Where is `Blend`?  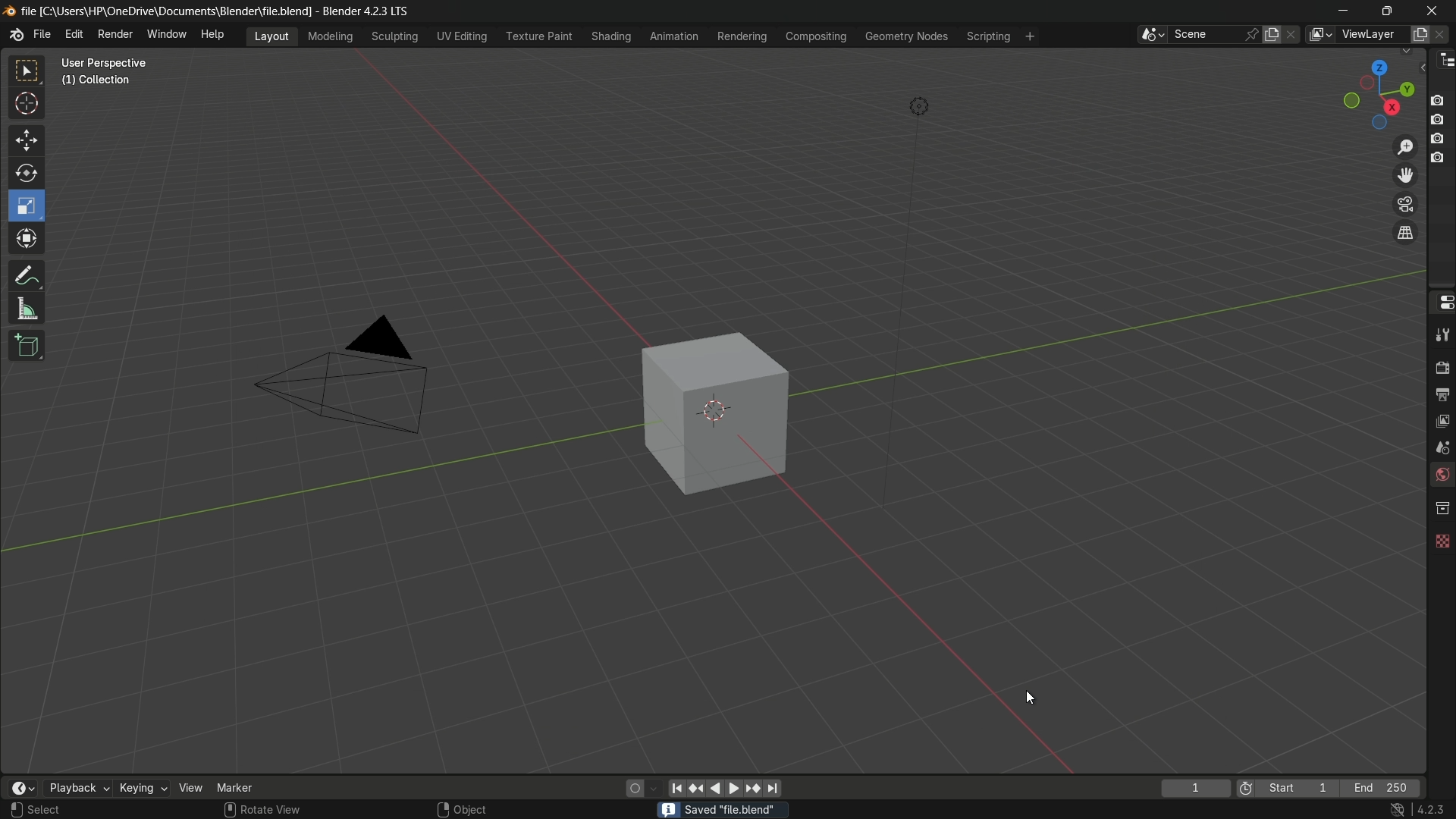 Blend is located at coordinates (9, 10).